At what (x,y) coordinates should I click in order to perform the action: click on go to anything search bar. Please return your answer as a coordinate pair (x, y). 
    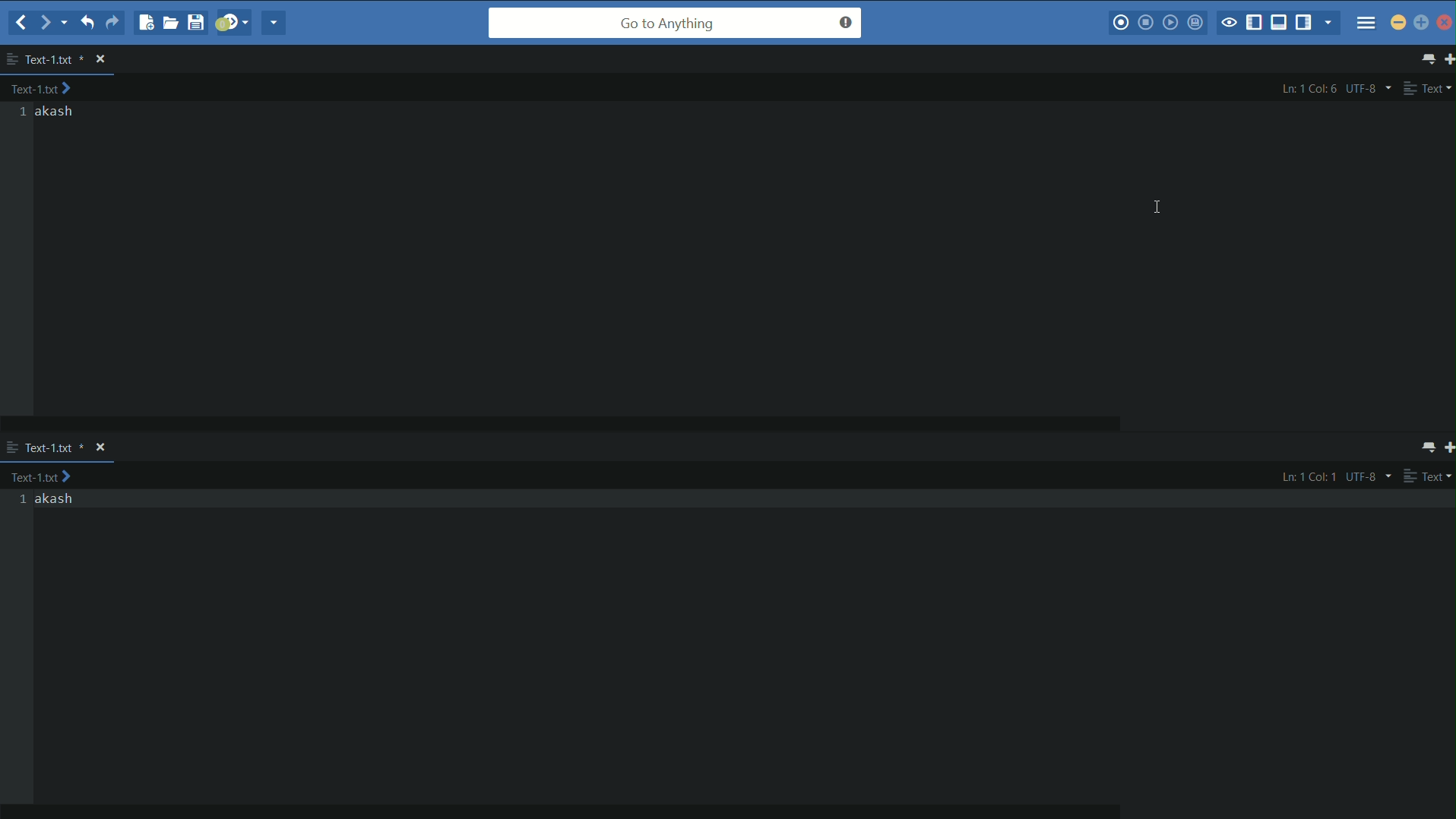
    Looking at the image, I should click on (676, 23).